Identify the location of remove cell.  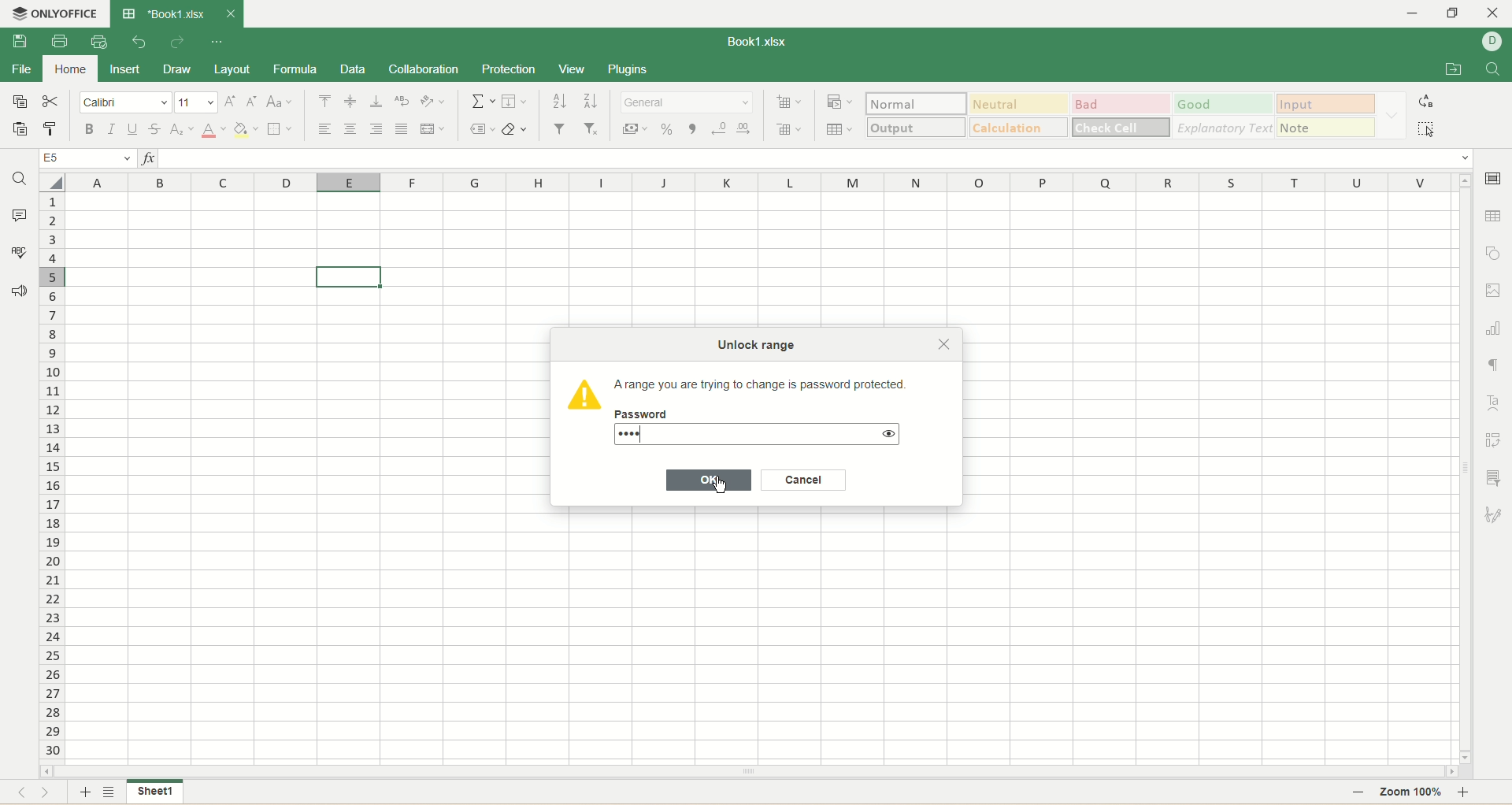
(787, 128).